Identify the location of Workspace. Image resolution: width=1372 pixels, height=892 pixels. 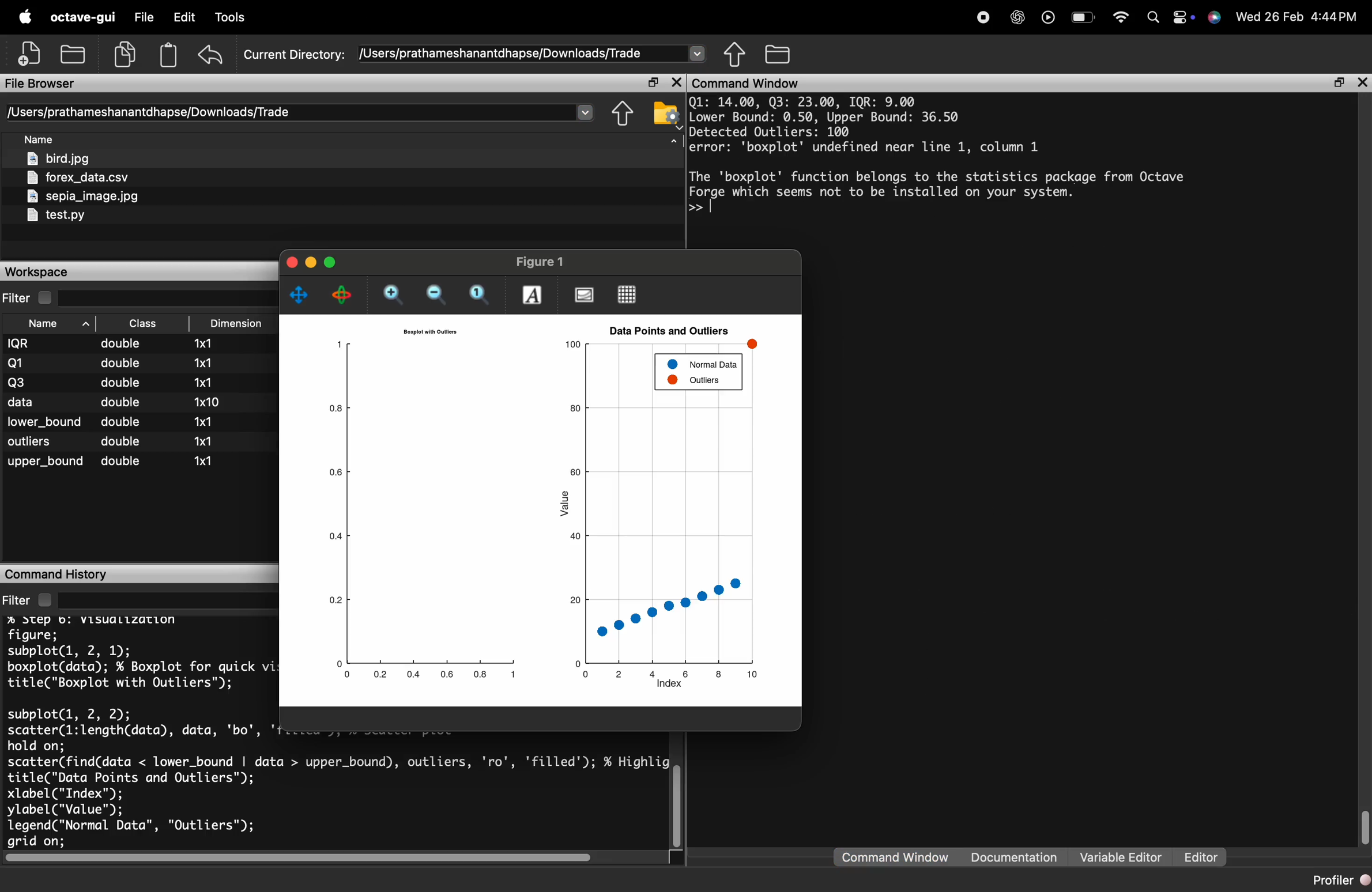
(35, 272).